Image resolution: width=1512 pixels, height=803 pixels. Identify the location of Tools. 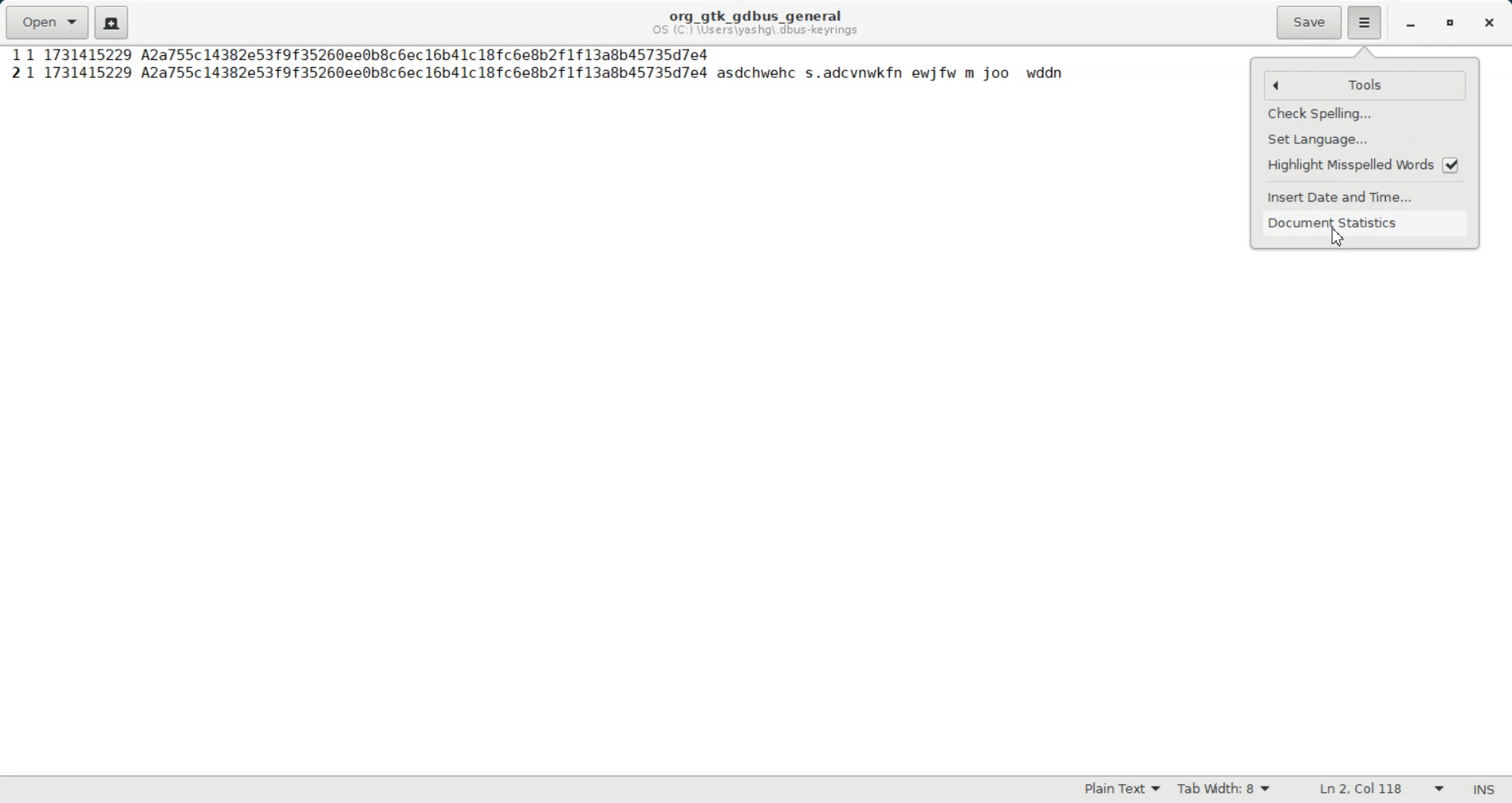
(1385, 85).